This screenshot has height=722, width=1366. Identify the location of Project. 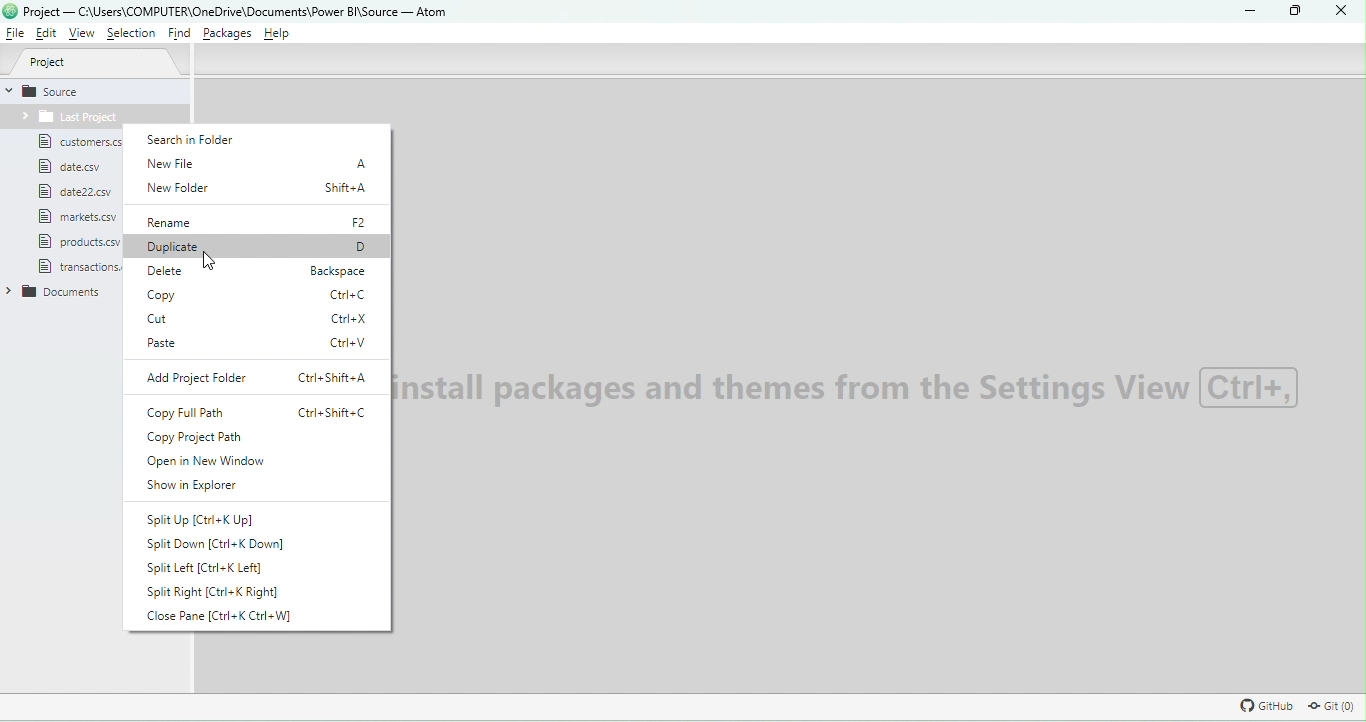
(97, 63).